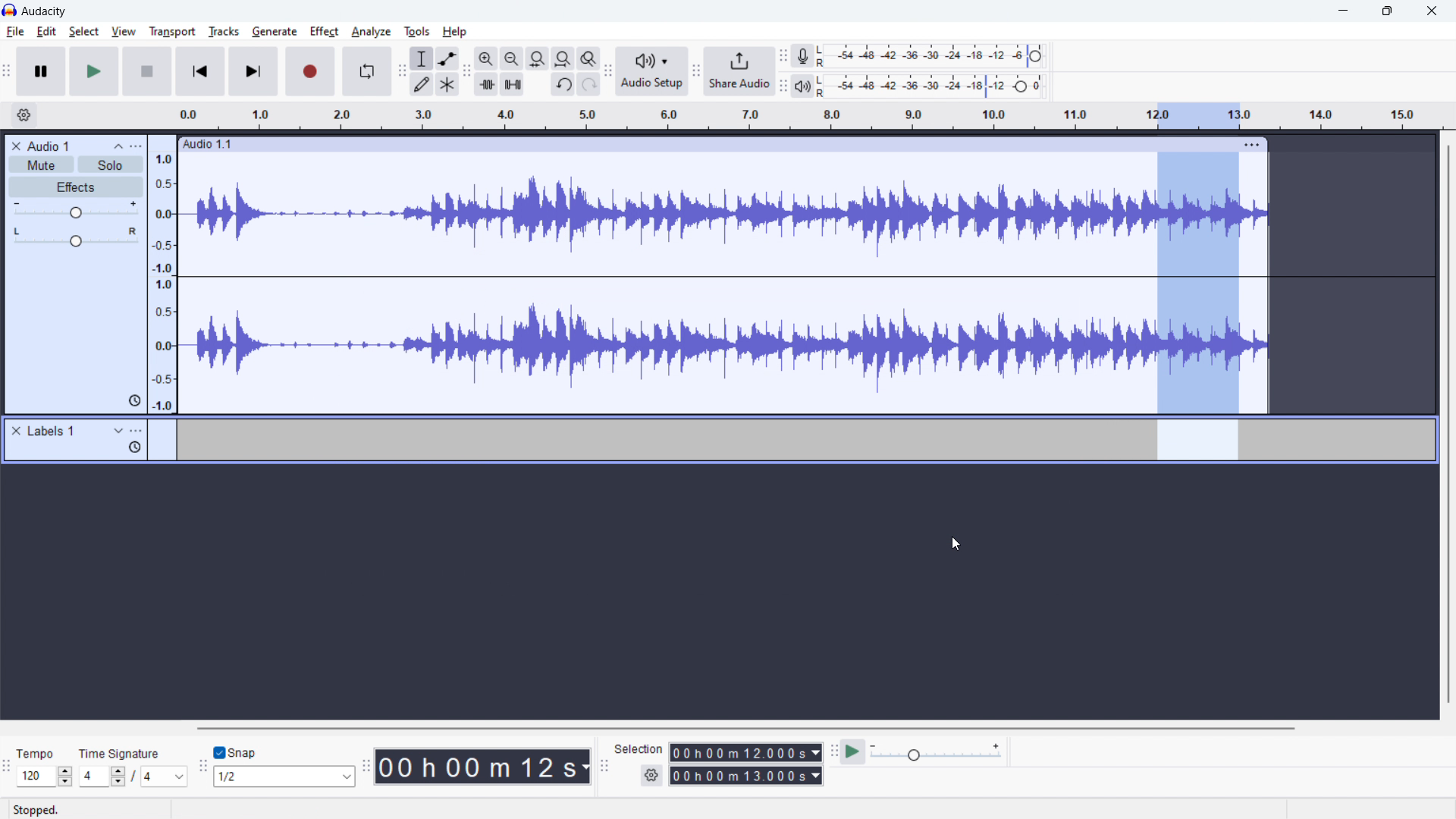 This screenshot has width=1456, height=819. I want to click on time signature, so click(121, 753).